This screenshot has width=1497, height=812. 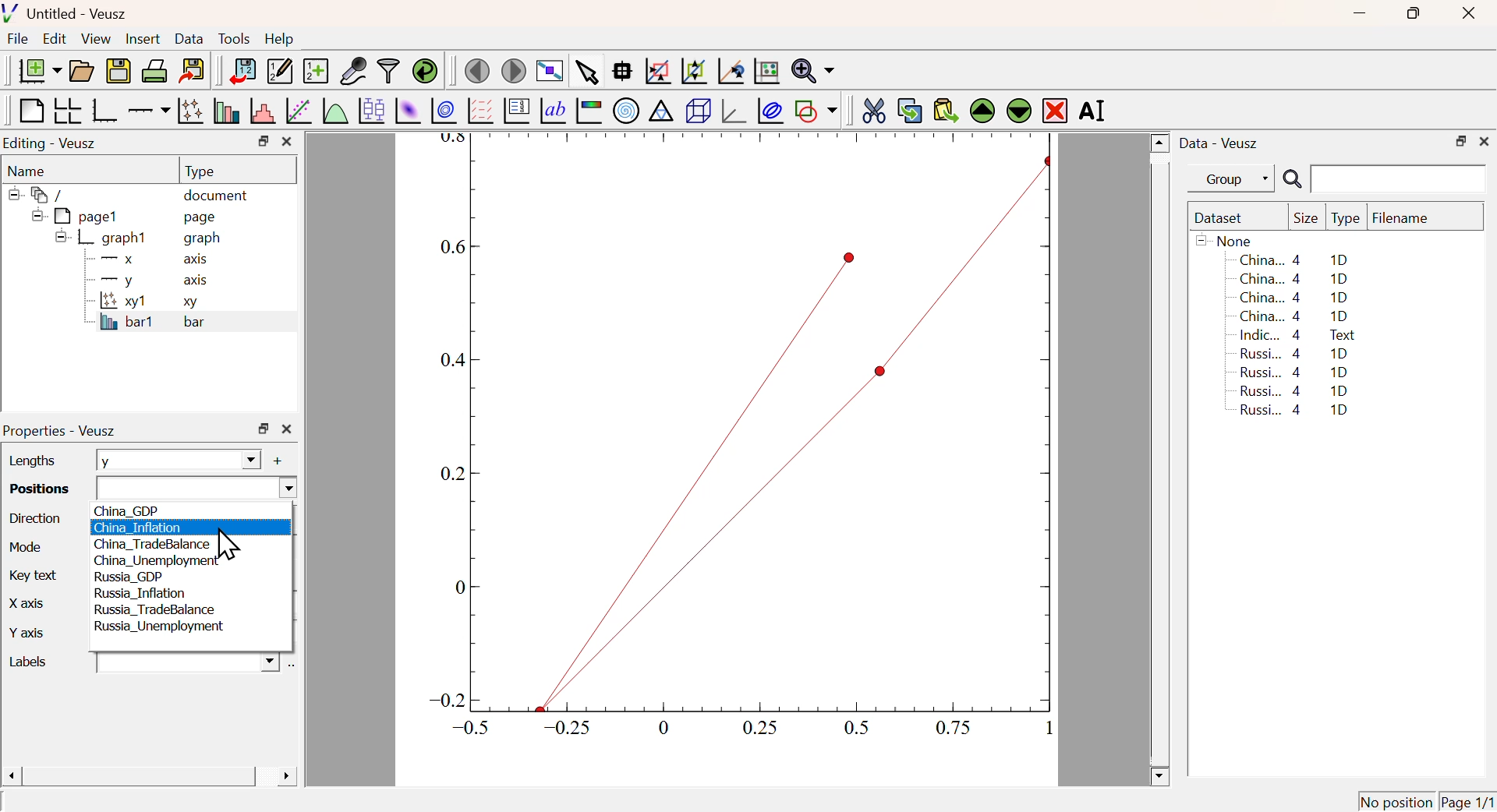 What do you see at coordinates (816, 110) in the screenshot?
I see `Add a shape` at bounding box center [816, 110].